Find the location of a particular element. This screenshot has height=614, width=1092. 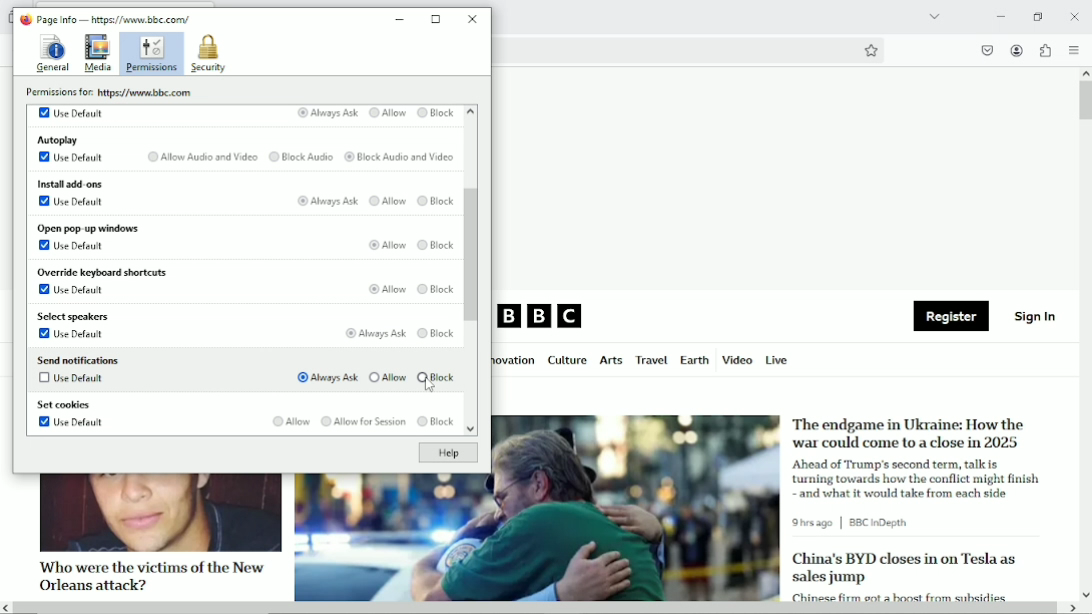

Permissions is located at coordinates (152, 54).